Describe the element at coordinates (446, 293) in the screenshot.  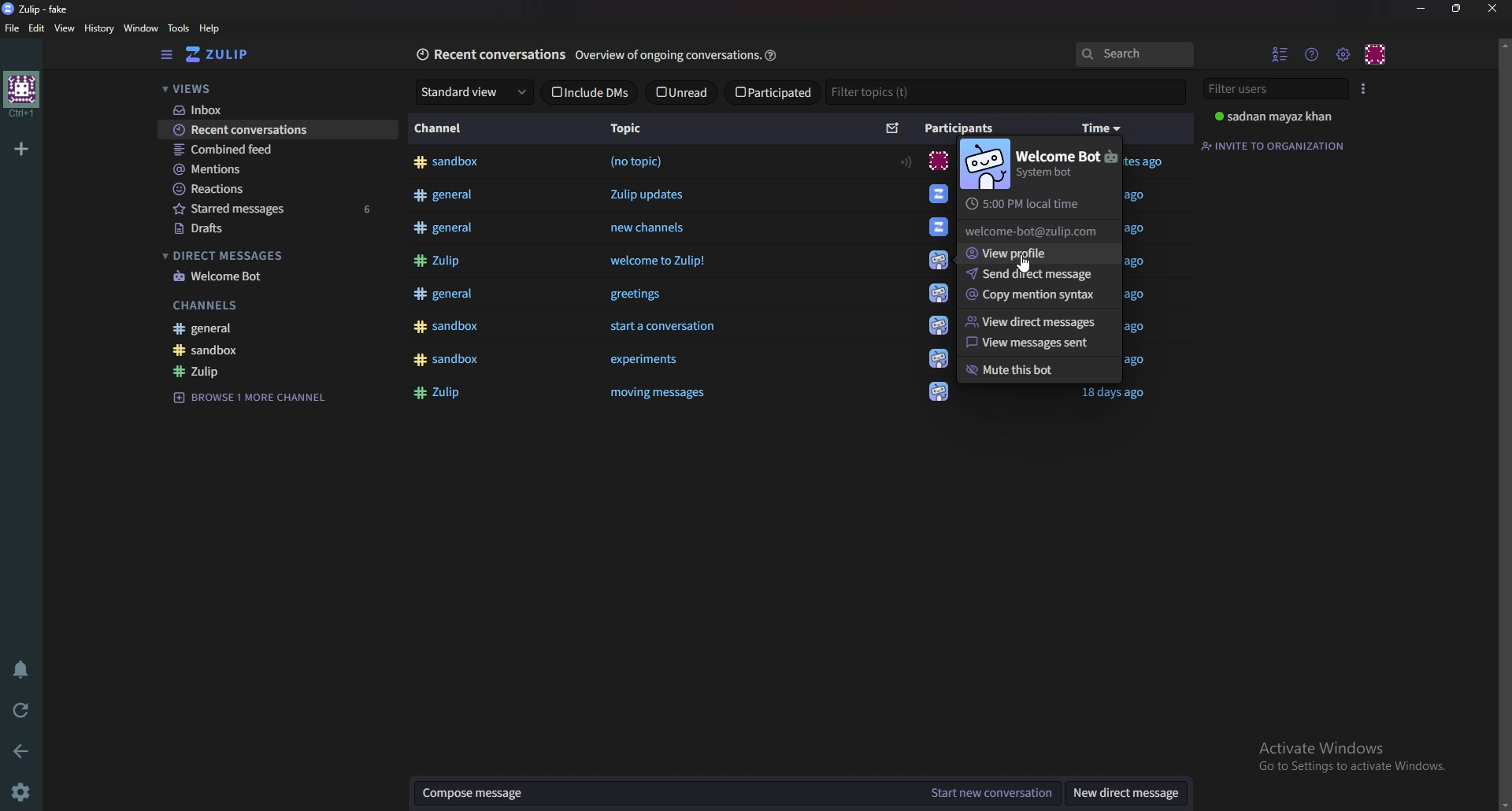
I see `# general` at that location.